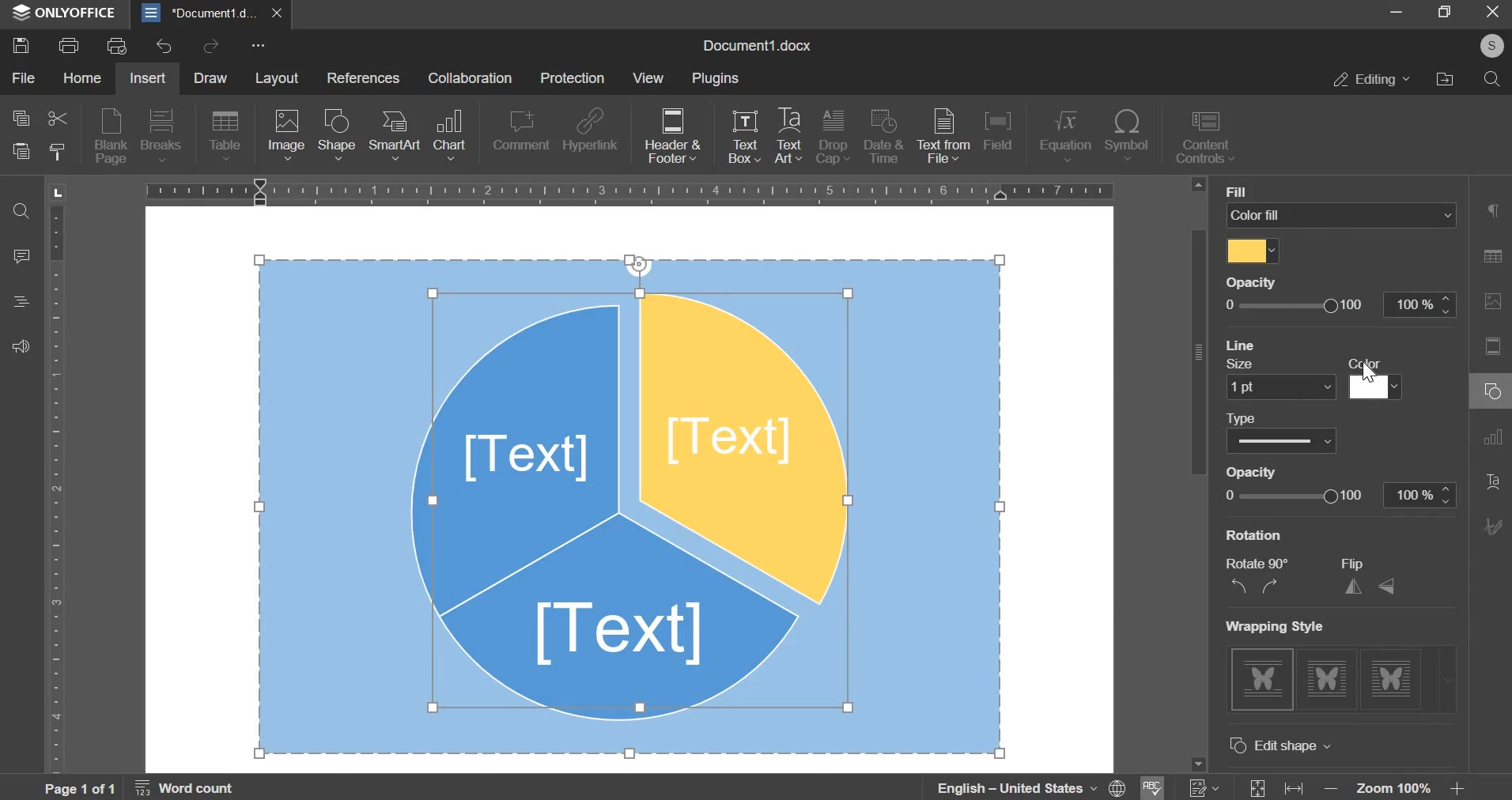  What do you see at coordinates (1257, 471) in the screenshot?
I see `` at bounding box center [1257, 471].